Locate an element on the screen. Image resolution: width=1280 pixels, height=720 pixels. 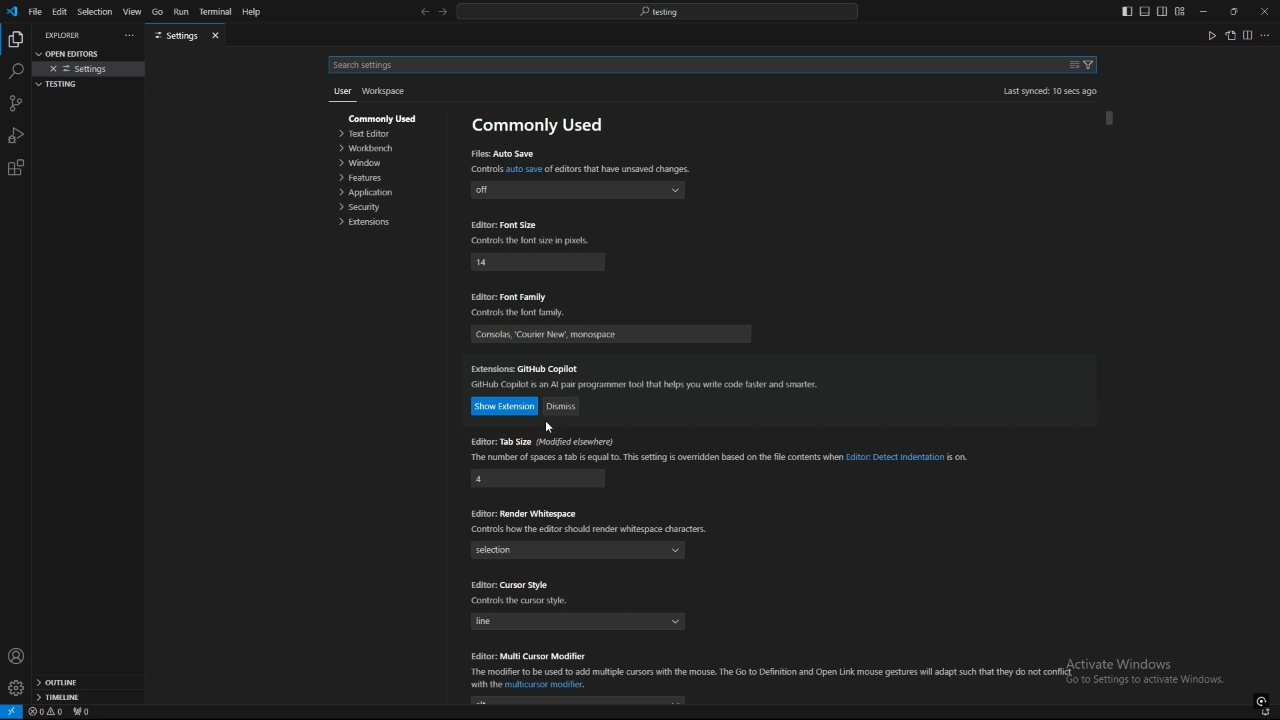
editor multi cursor modifier is located at coordinates (531, 655).